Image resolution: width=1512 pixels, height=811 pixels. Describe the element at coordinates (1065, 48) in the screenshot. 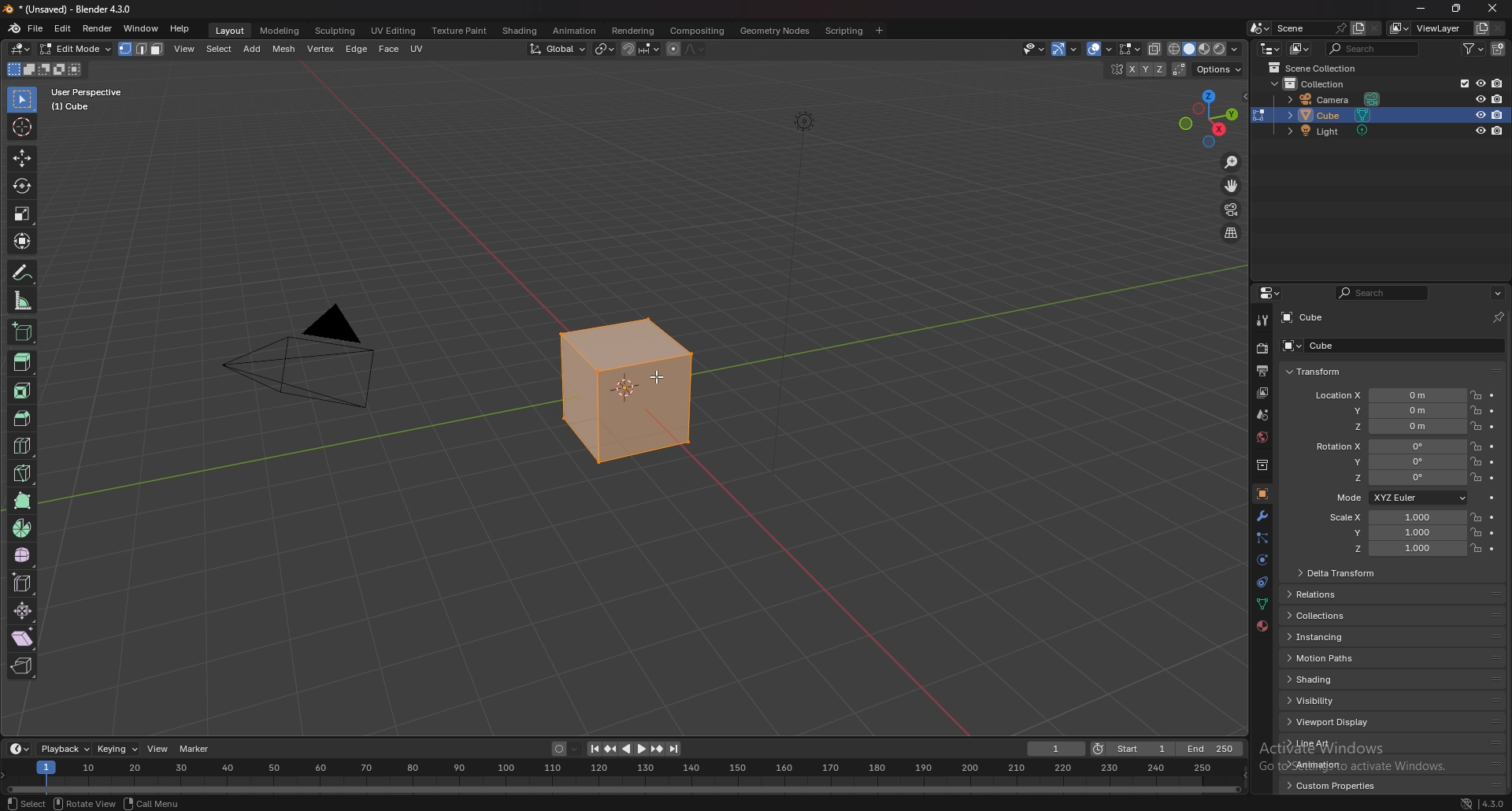

I see `show gizmo` at that location.